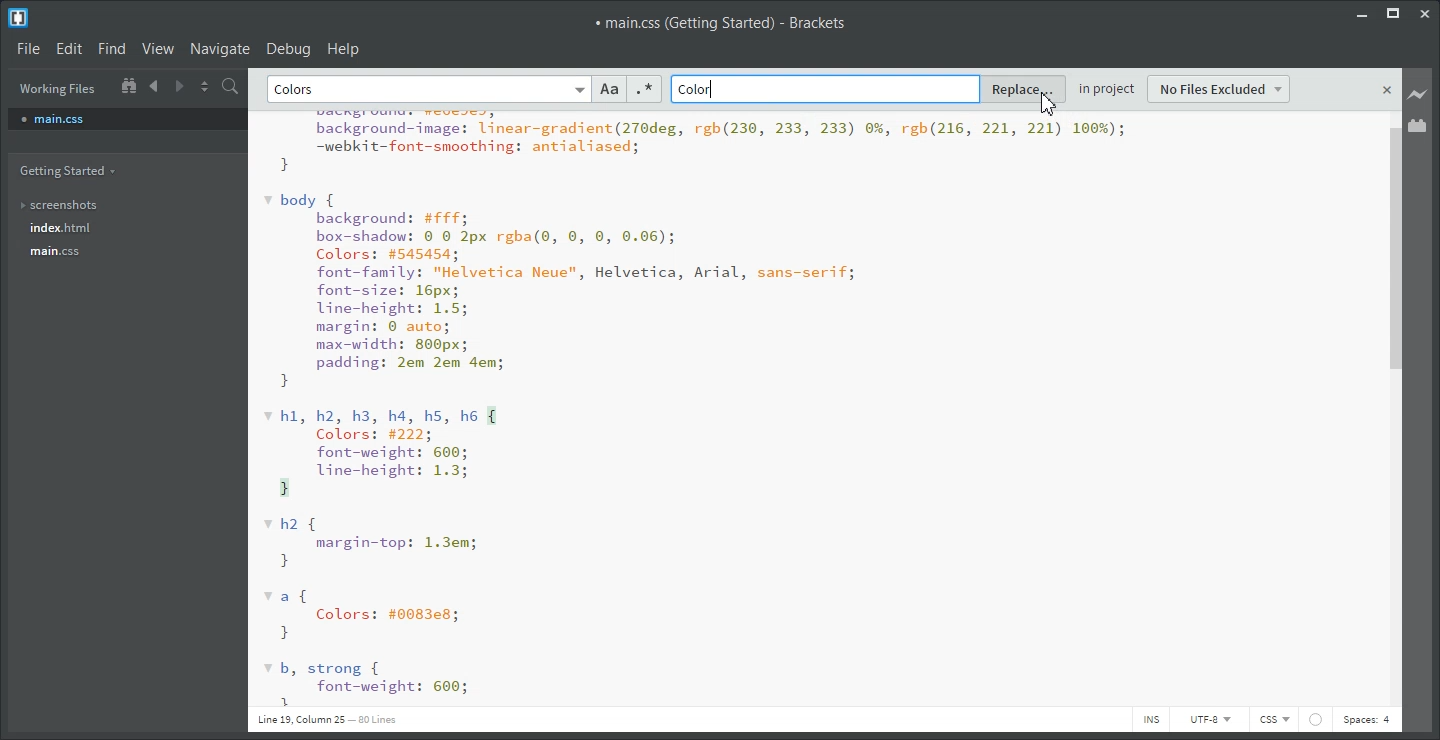 This screenshot has width=1440, height=740. What do you see at coordinates (561, 291) in the screenshot?
I see `body {
background: #fff;
box-shadow: © 8 2px rgba(®, 0, ©, 0.06);
Colors: #545454;
font-family: "Helvetica Neue", Helvetica, Arial, sans-serif;
font-size: 16px;
line-height: 1.5;
margin: © auto;
max-width: 800px;
padding: 2em 2em dem;
}` at bounding box center [561, 291].